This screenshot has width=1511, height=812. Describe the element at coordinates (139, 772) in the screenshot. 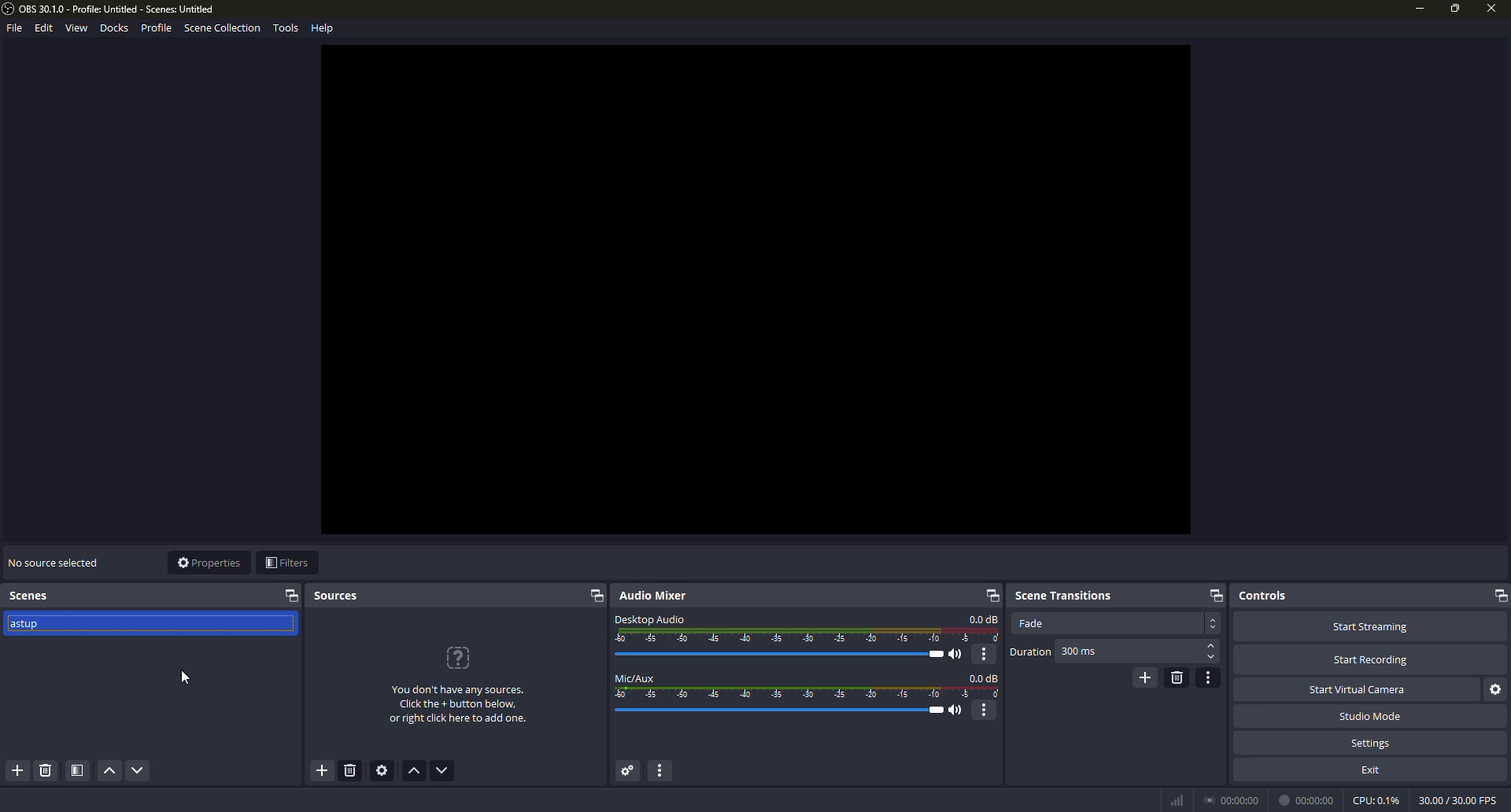

I see `move scene down` at that location.